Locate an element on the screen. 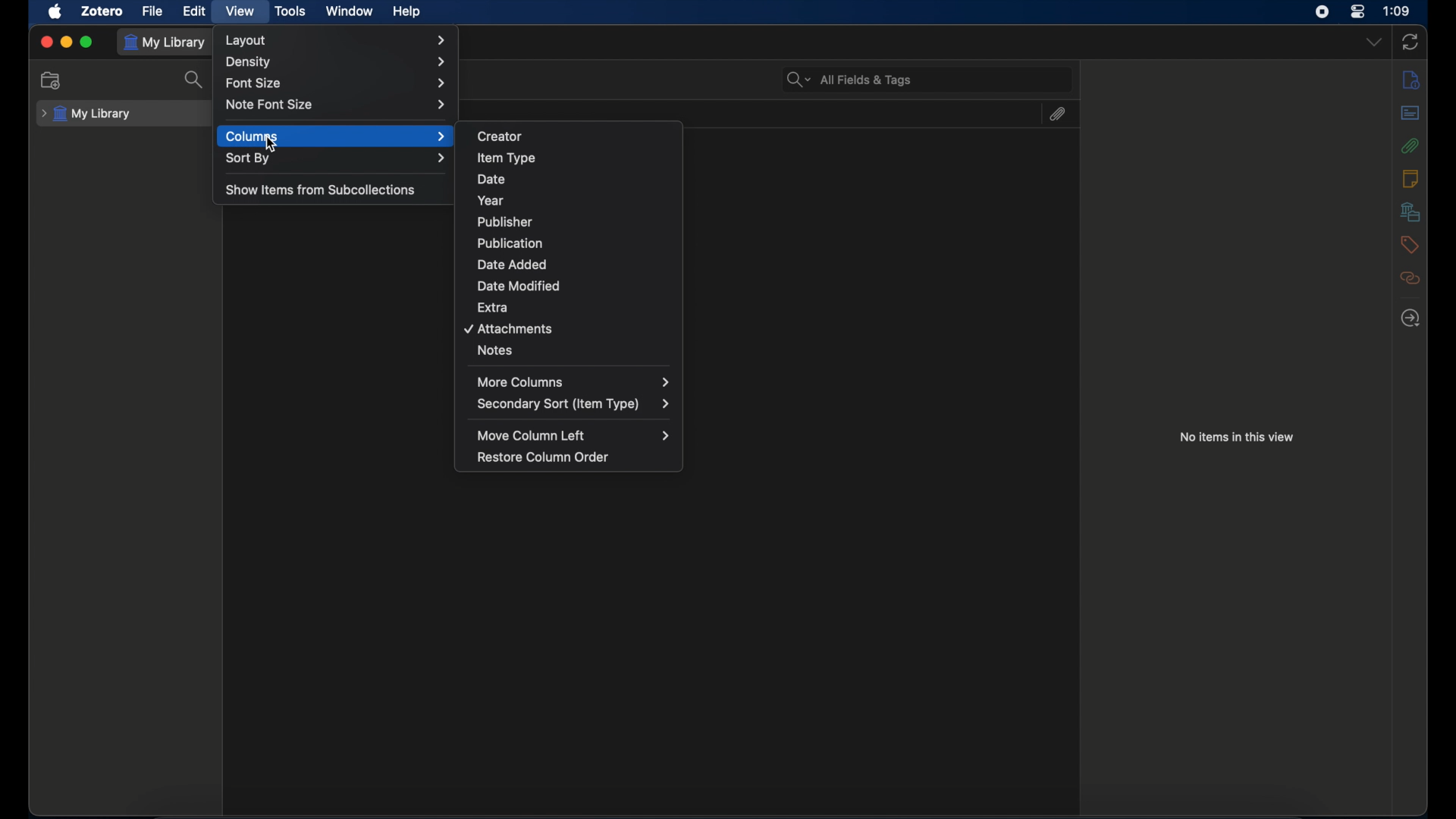 This screenshot has height=819, width=1456. dropdown is located at coordinates (1373, 42).